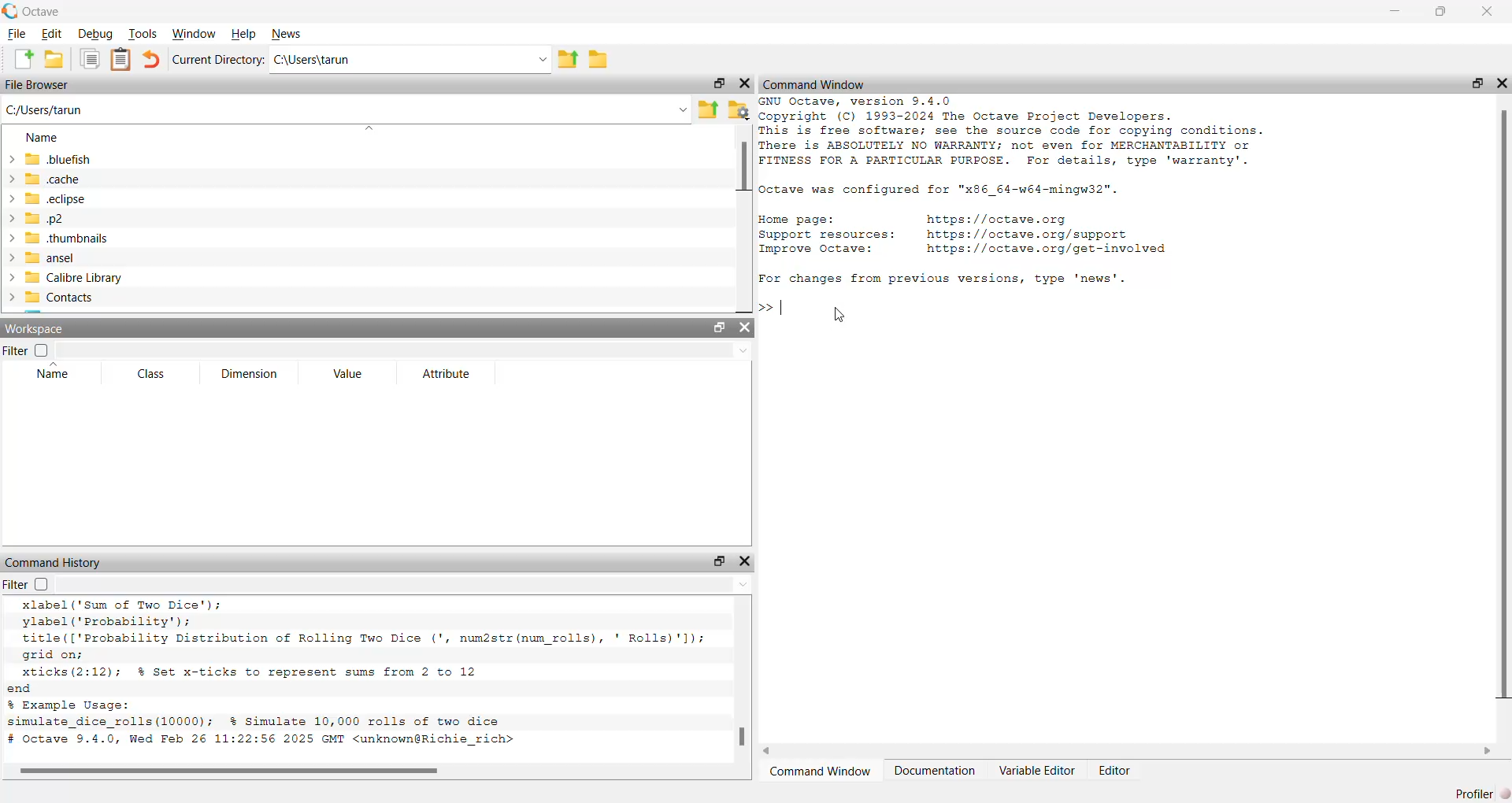 This screenshot has height=803, width=1512. I want to click on Name, so click(53, 371).